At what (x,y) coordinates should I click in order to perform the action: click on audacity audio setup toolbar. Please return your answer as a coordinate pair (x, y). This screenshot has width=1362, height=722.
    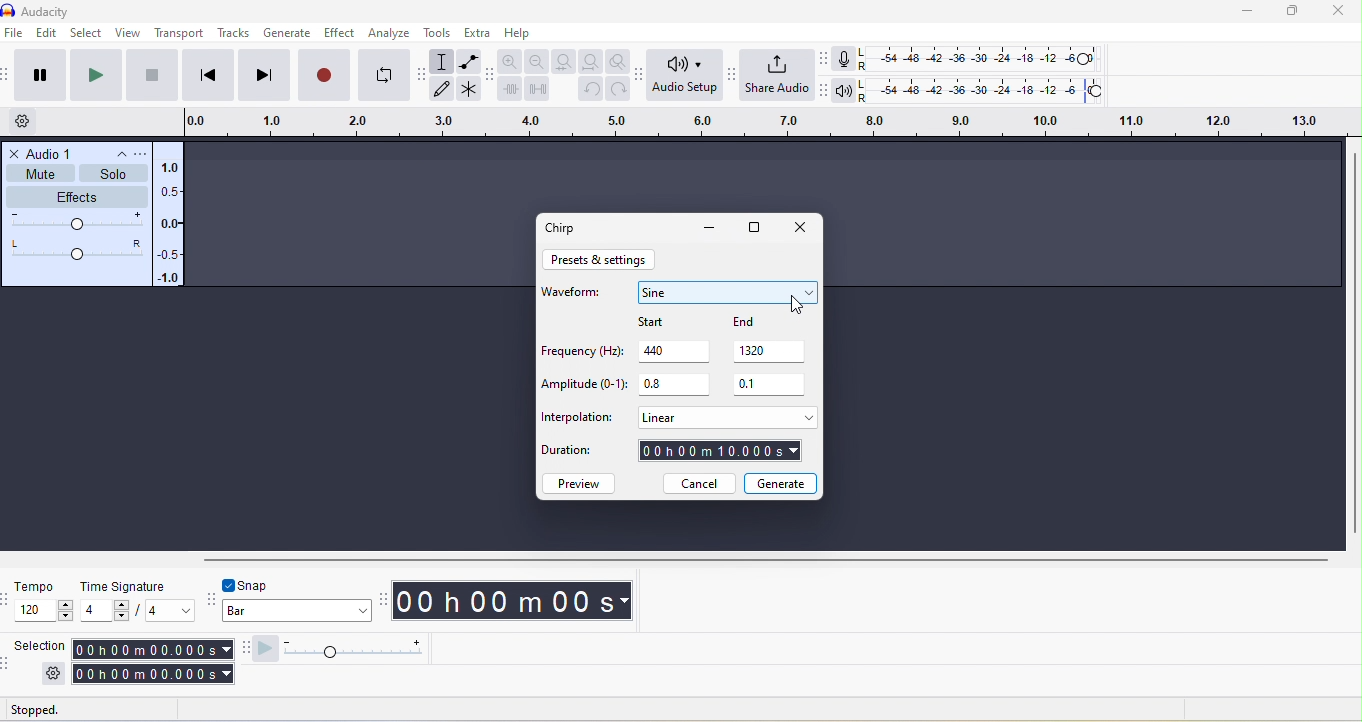
    Looking at the image, I should click on (643, 78).